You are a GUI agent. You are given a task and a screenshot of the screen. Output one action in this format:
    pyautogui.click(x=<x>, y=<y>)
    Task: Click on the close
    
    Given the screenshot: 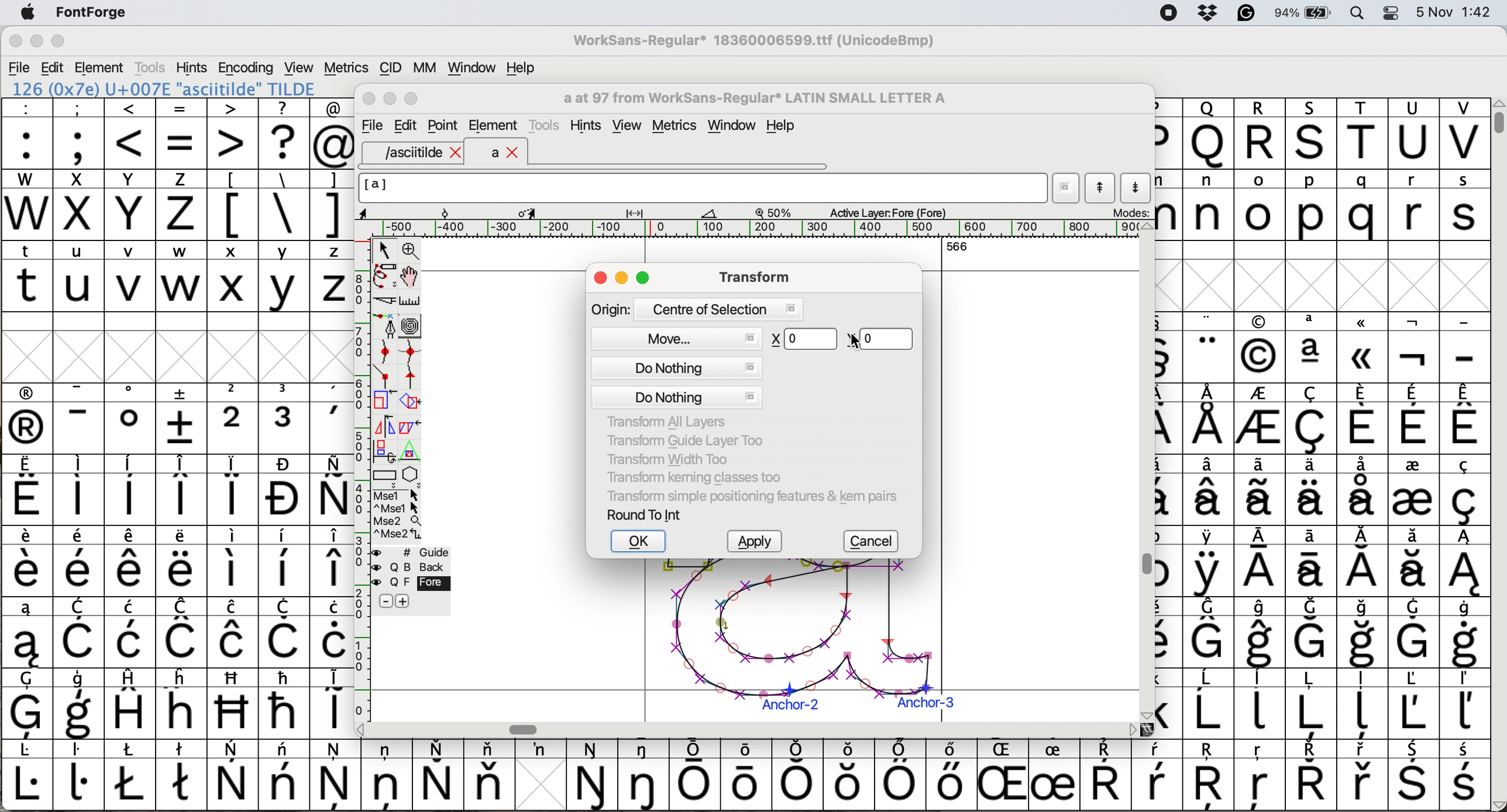 What is the action you would take?
    pyautogui.click(x=15, y=43)
    